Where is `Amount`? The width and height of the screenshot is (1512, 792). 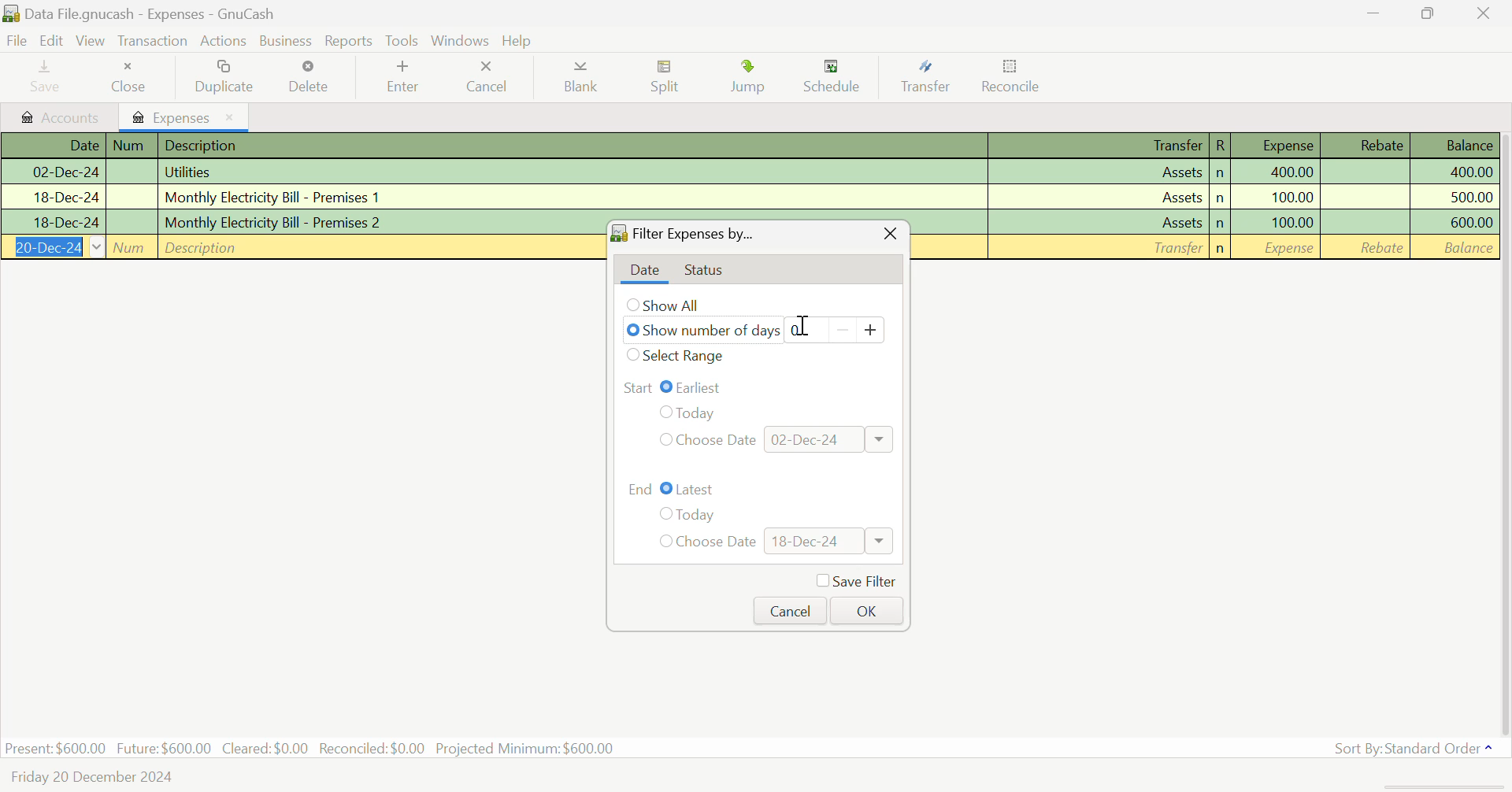
Amount is located at coordinates (1452, 172).